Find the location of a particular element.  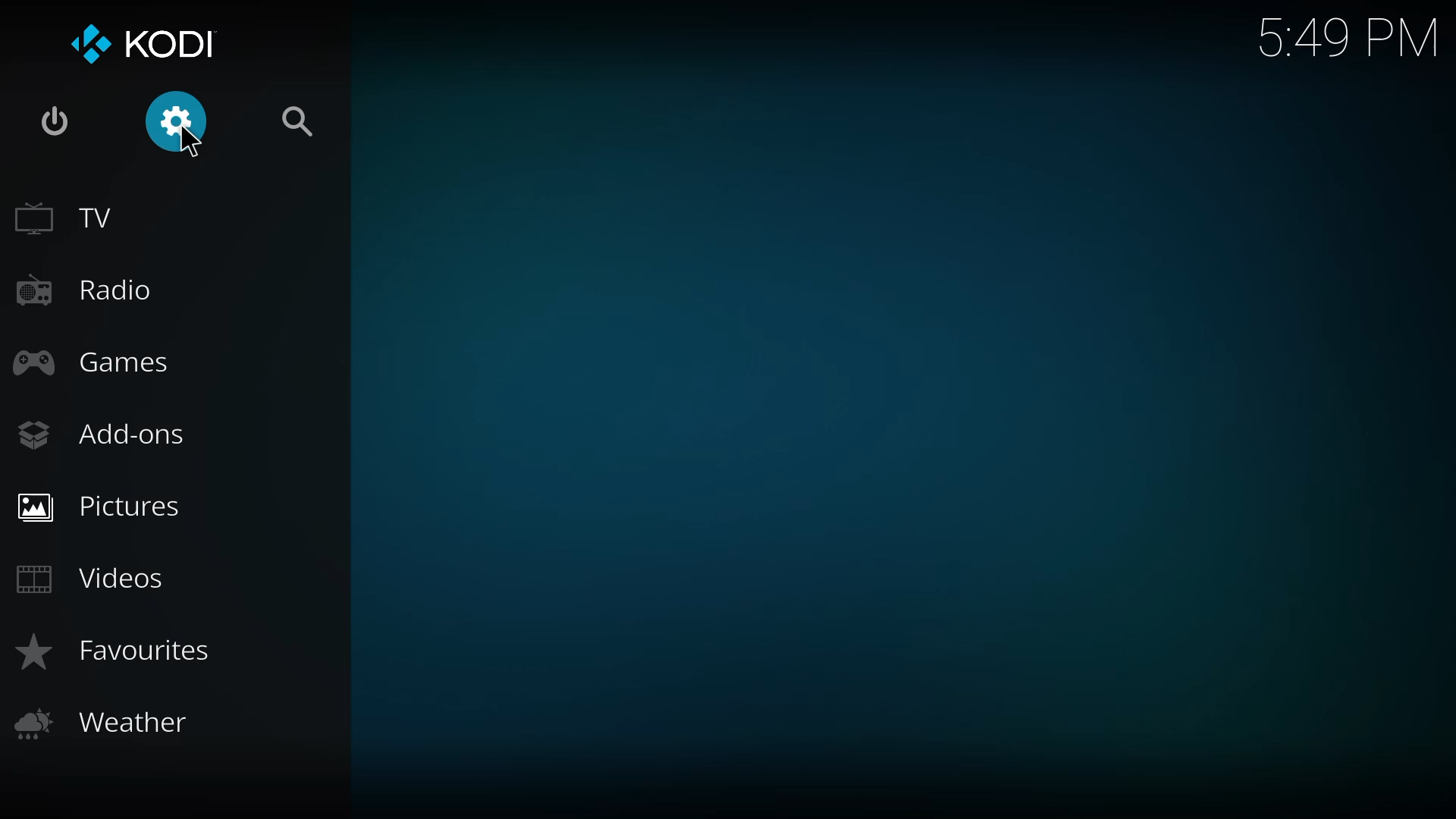

search is located at coordinates (301, 119).